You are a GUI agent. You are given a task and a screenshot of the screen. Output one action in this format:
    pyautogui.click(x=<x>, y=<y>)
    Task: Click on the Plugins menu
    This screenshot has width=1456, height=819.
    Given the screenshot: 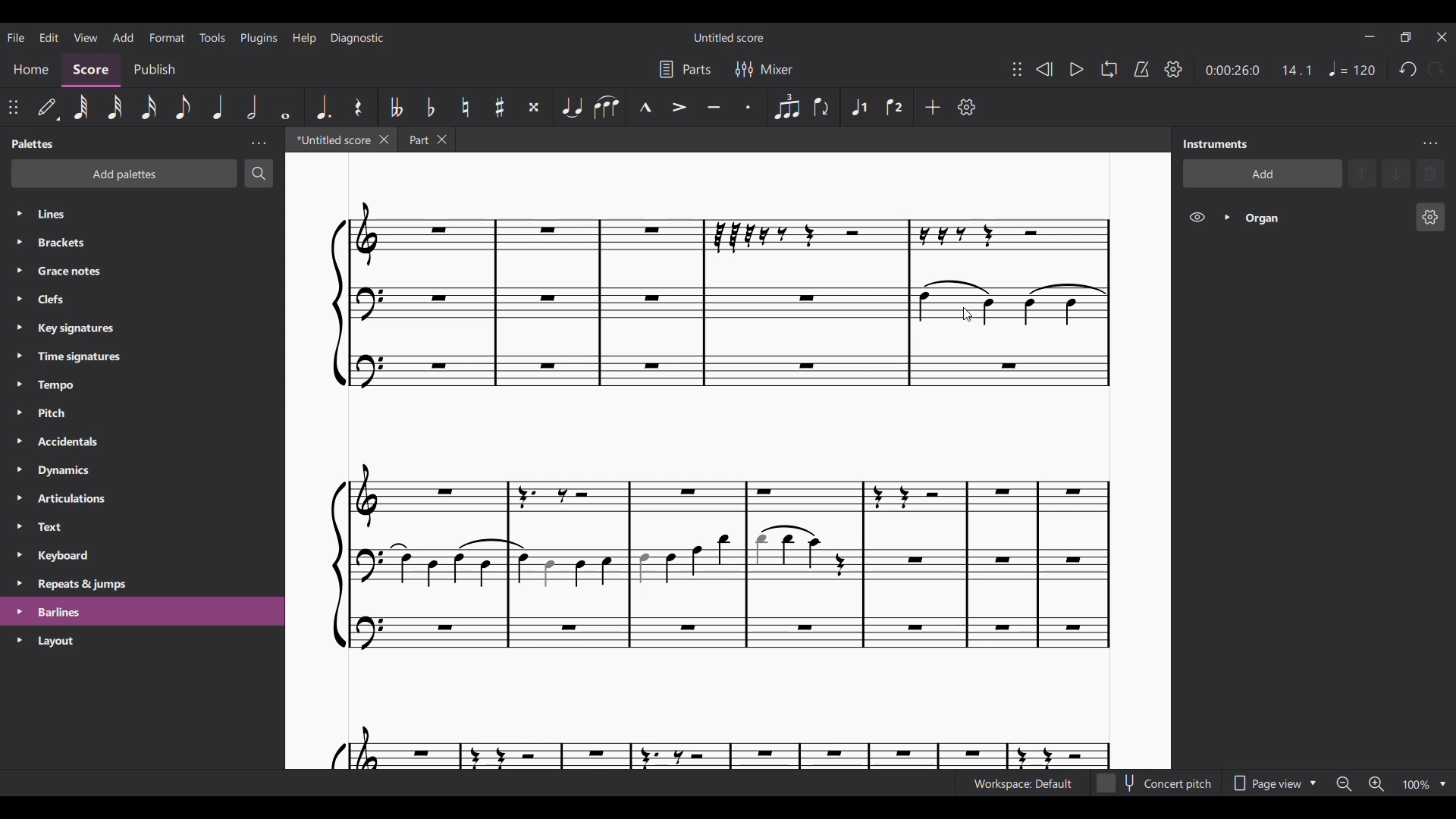 What is the action you would take?
    pyautogui.click(x=259, y=37)
    